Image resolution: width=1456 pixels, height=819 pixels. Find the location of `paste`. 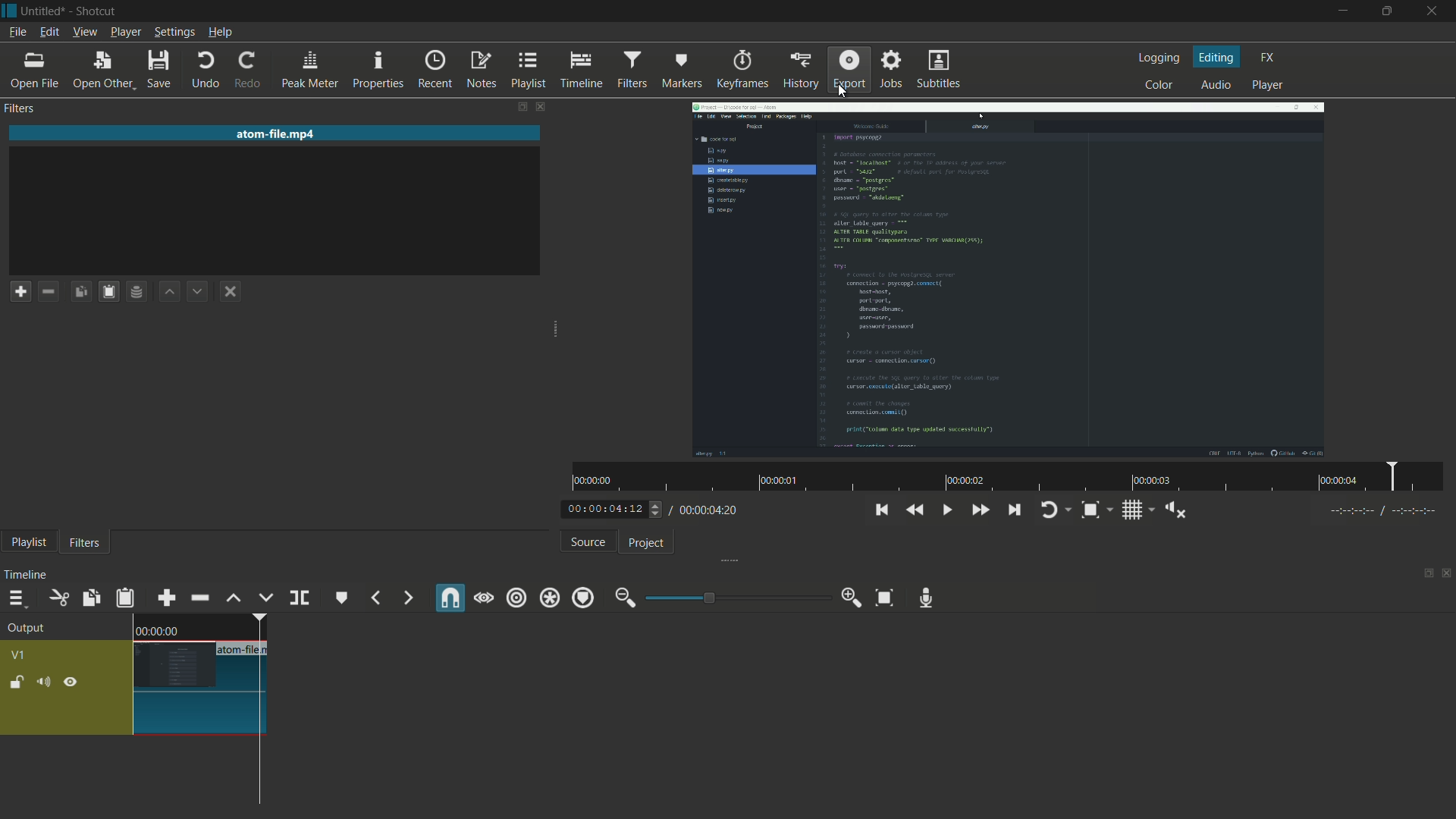

paste is located at coordinates (111, 292).